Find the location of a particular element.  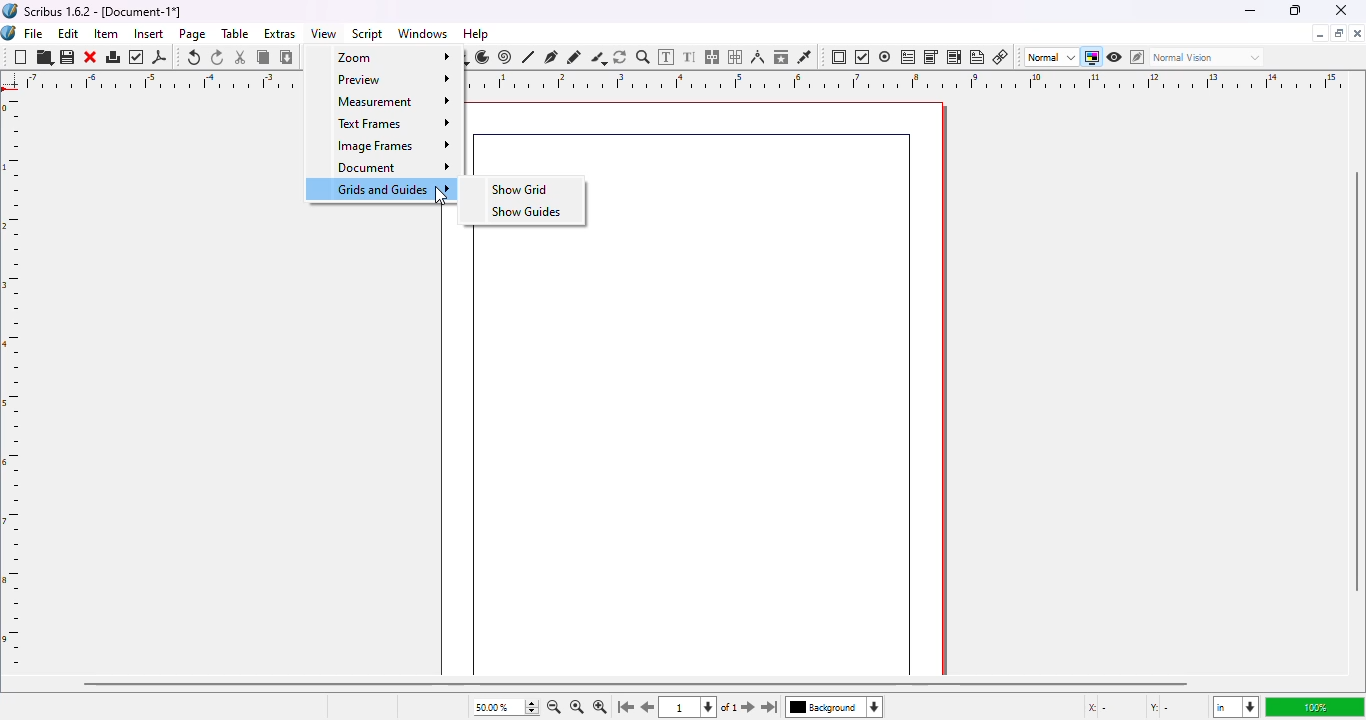

close is located at coordinates (1342, 10).